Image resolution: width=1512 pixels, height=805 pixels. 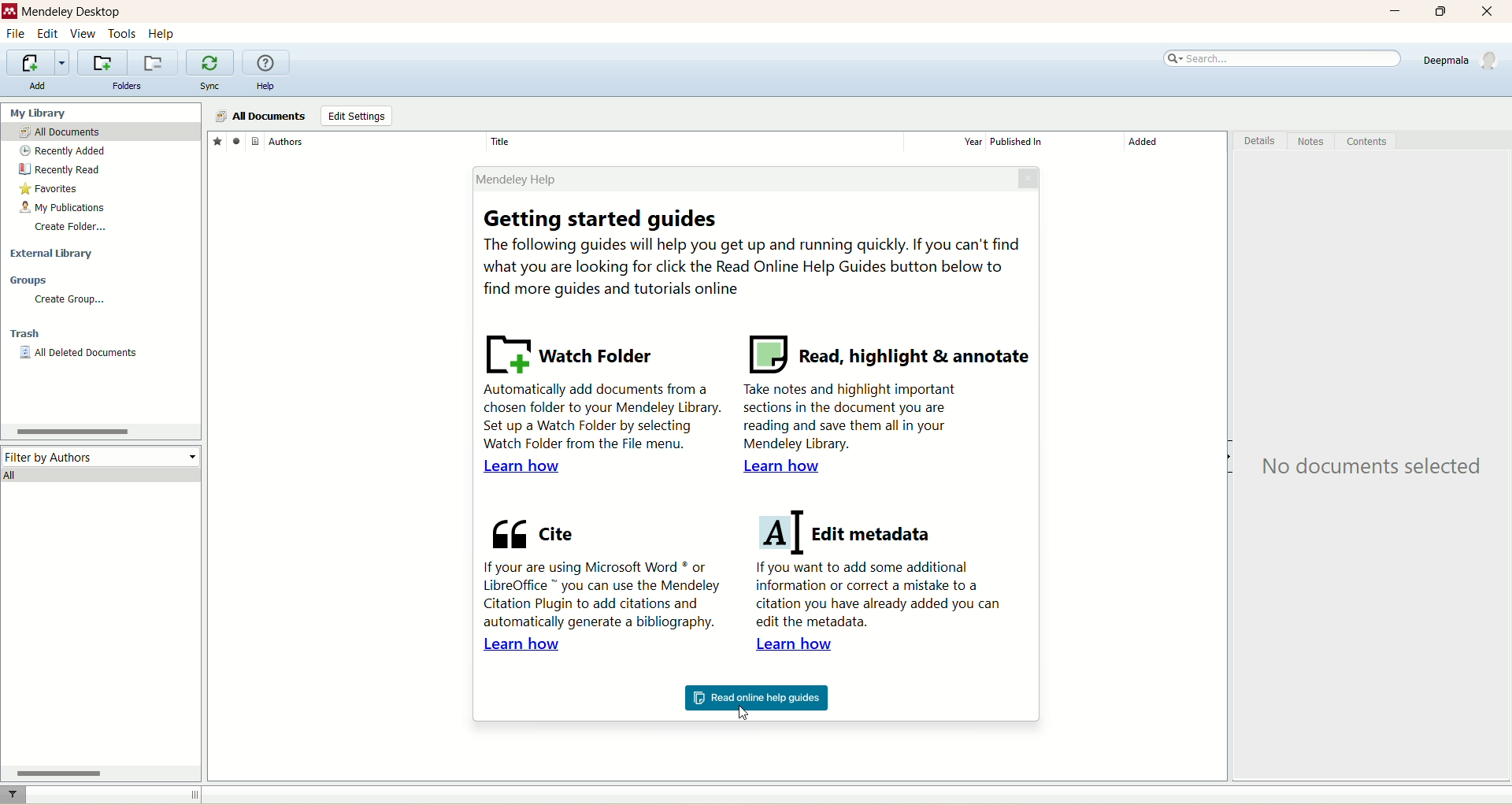 What do you see at coordinates (779, 466) in the screenshot?
I see `Learn how` at bounding box center [779, 466].